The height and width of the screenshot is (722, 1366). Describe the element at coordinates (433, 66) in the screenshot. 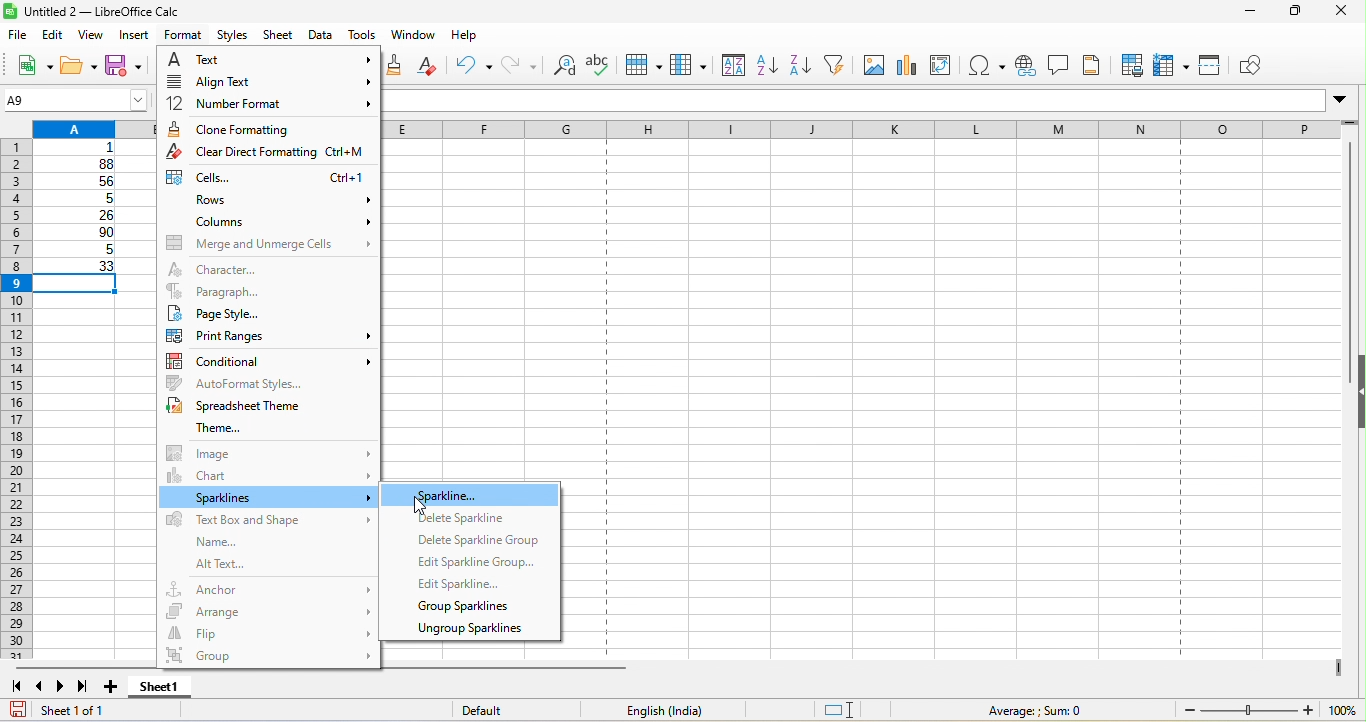

I see `clear direct formatting` at that location.